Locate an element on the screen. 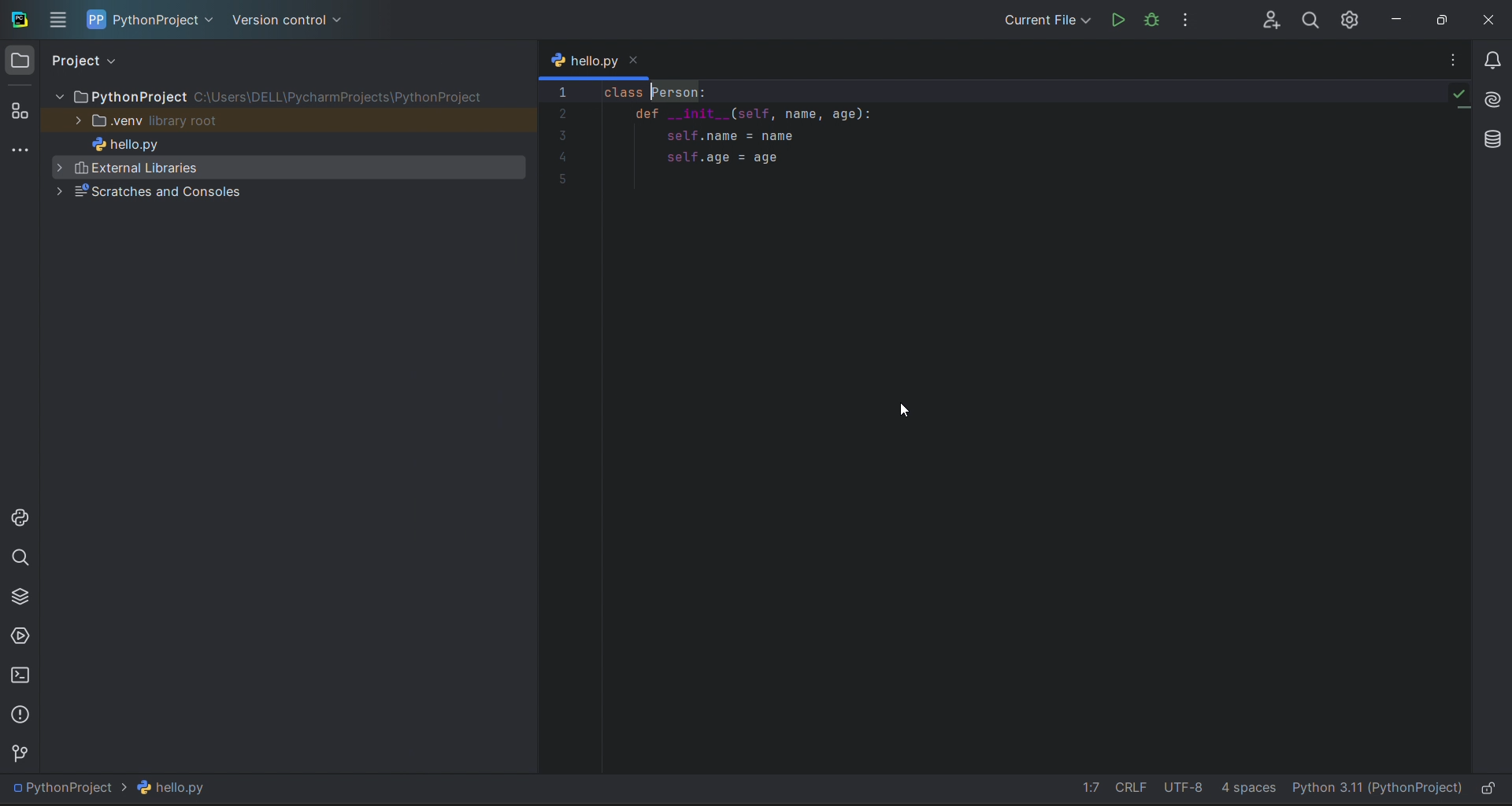  minimize is located at coordinates (1394, 18).